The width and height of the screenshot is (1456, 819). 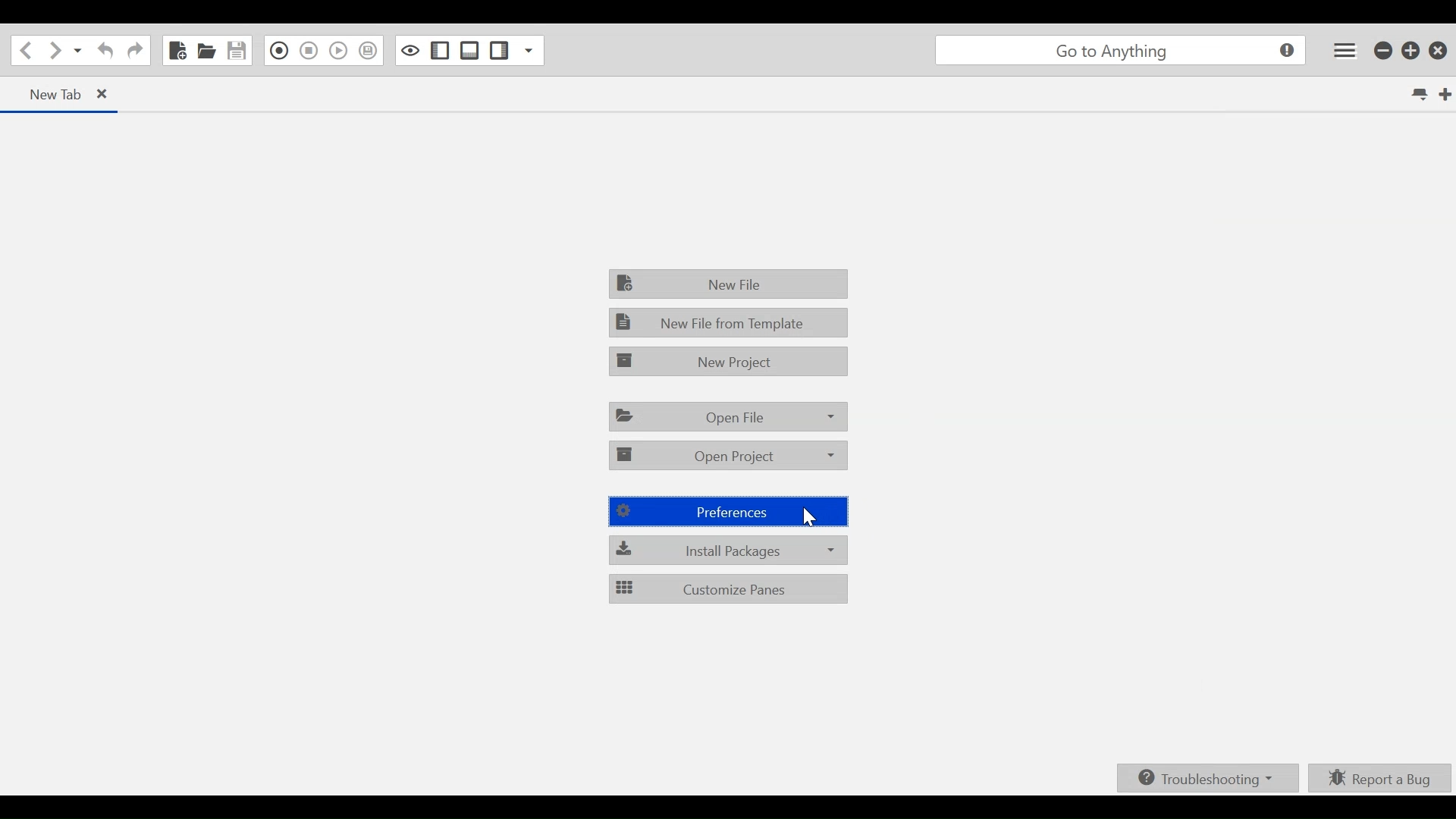 What do you see at coordinates (730, 550) in the screenshot?
I see `Install Packages` at bounding box center [730, 550].